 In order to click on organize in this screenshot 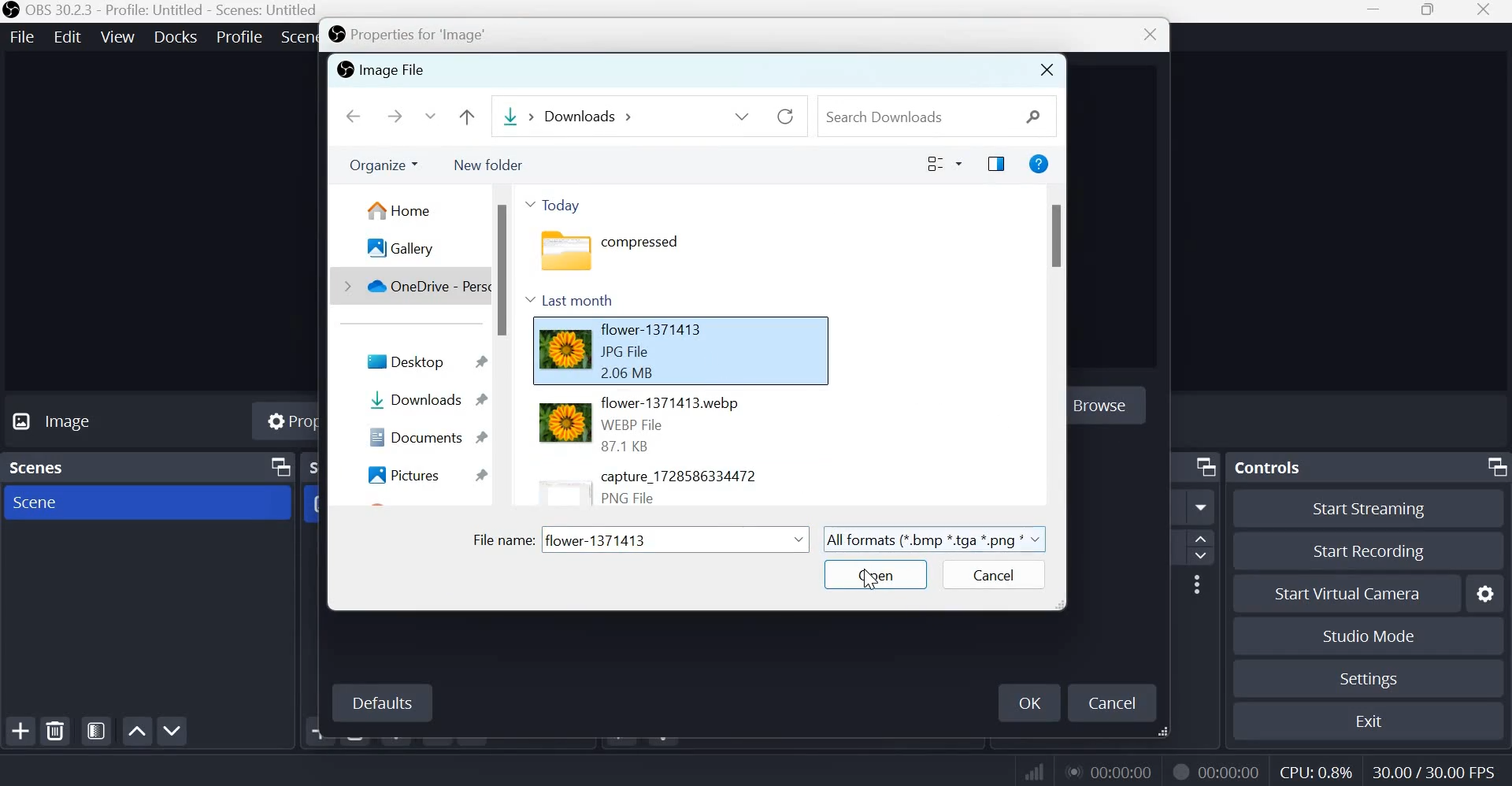, I will do `click(381, 161)`.